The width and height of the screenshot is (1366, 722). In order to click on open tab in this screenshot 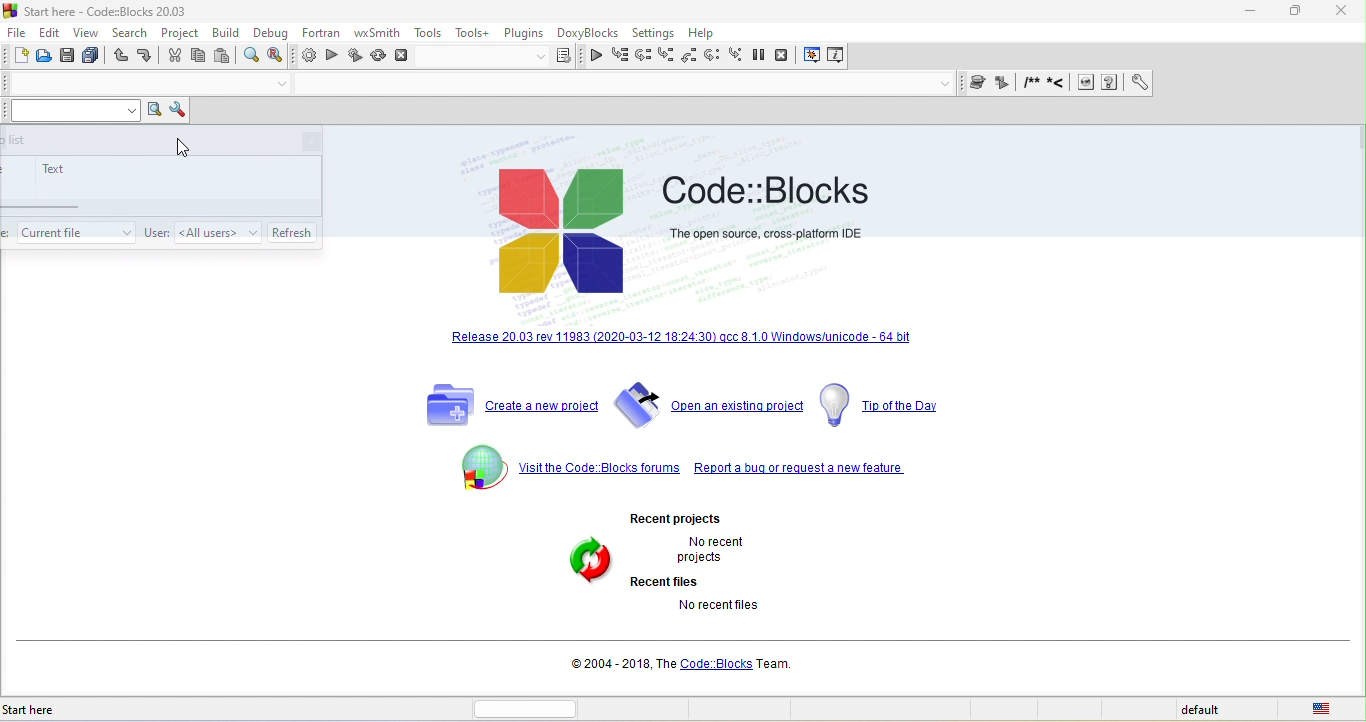, I will do `click(131, 84)`.